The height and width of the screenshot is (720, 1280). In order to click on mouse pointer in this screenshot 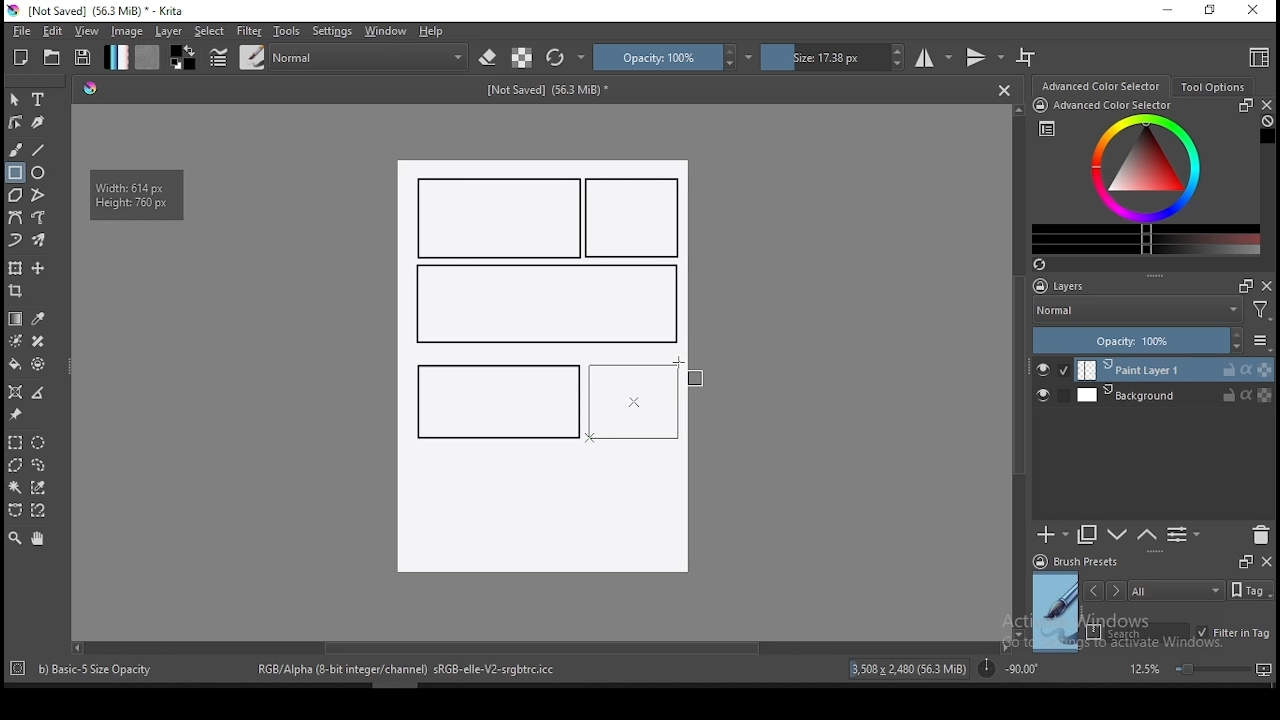, I will do `click(680, 364)`.